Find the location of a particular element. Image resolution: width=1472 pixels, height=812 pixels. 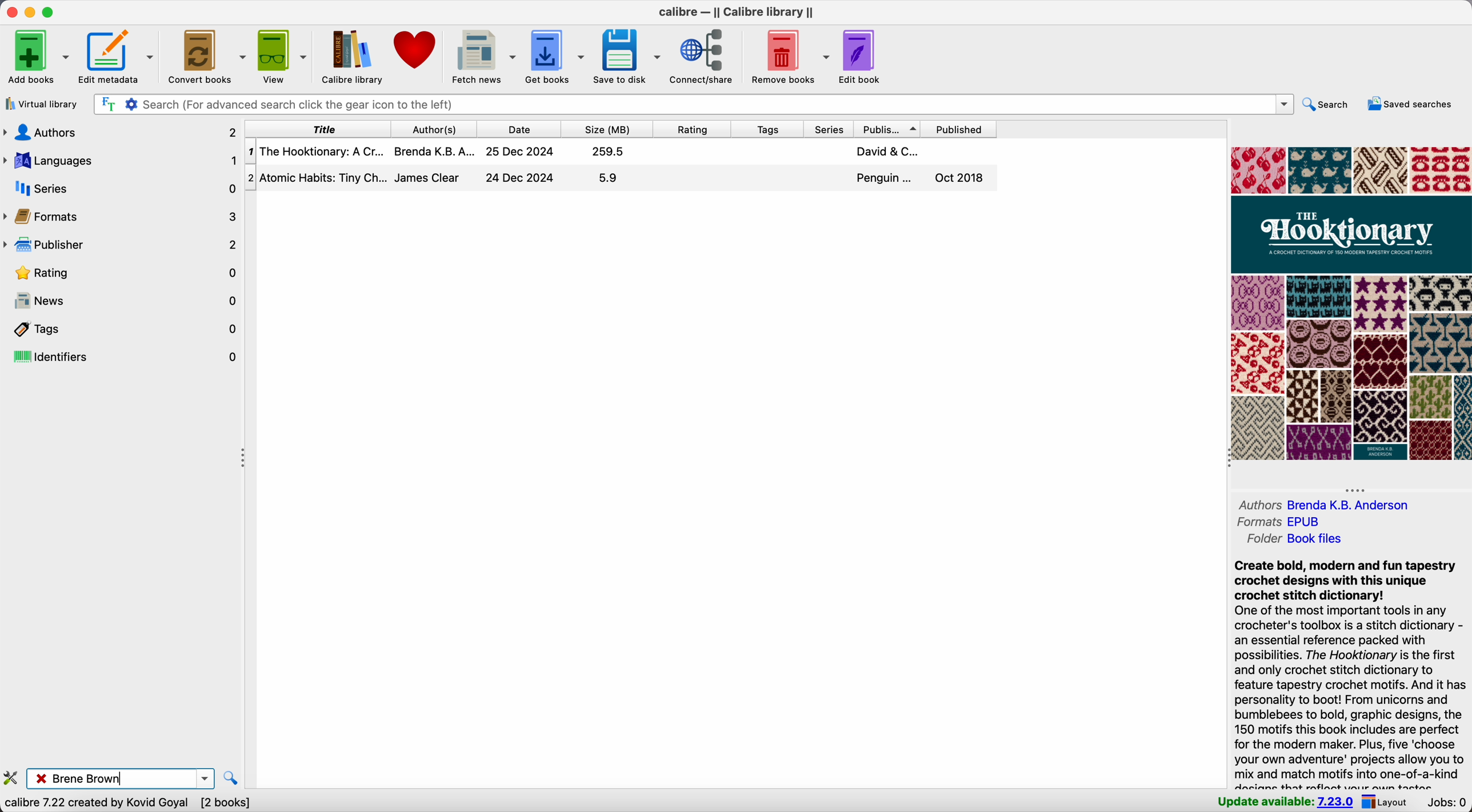

connect/share is located at coordinates (704, 58).